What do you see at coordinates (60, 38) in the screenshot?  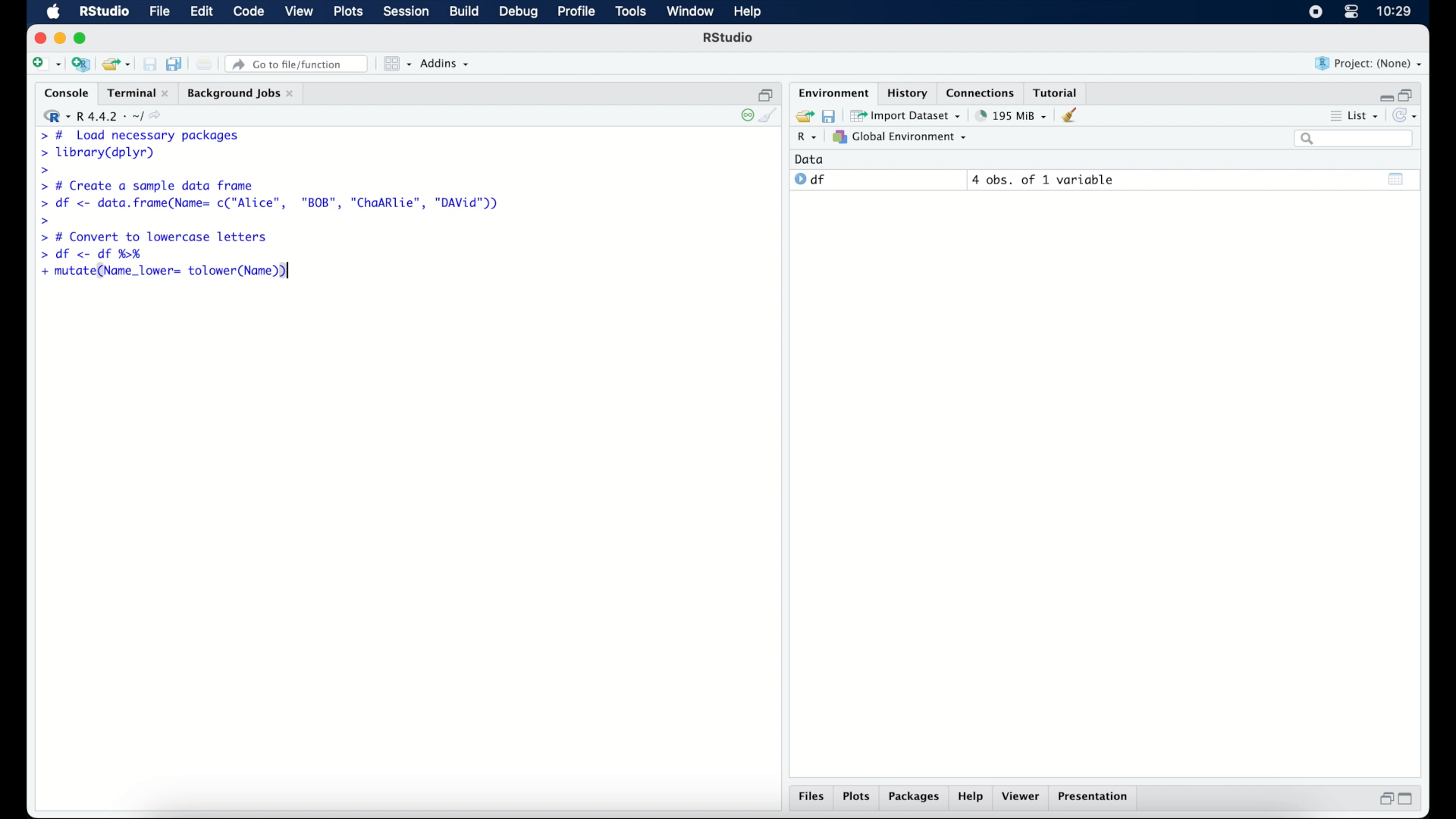 I see `minimize` at bounding box center [60, 38].